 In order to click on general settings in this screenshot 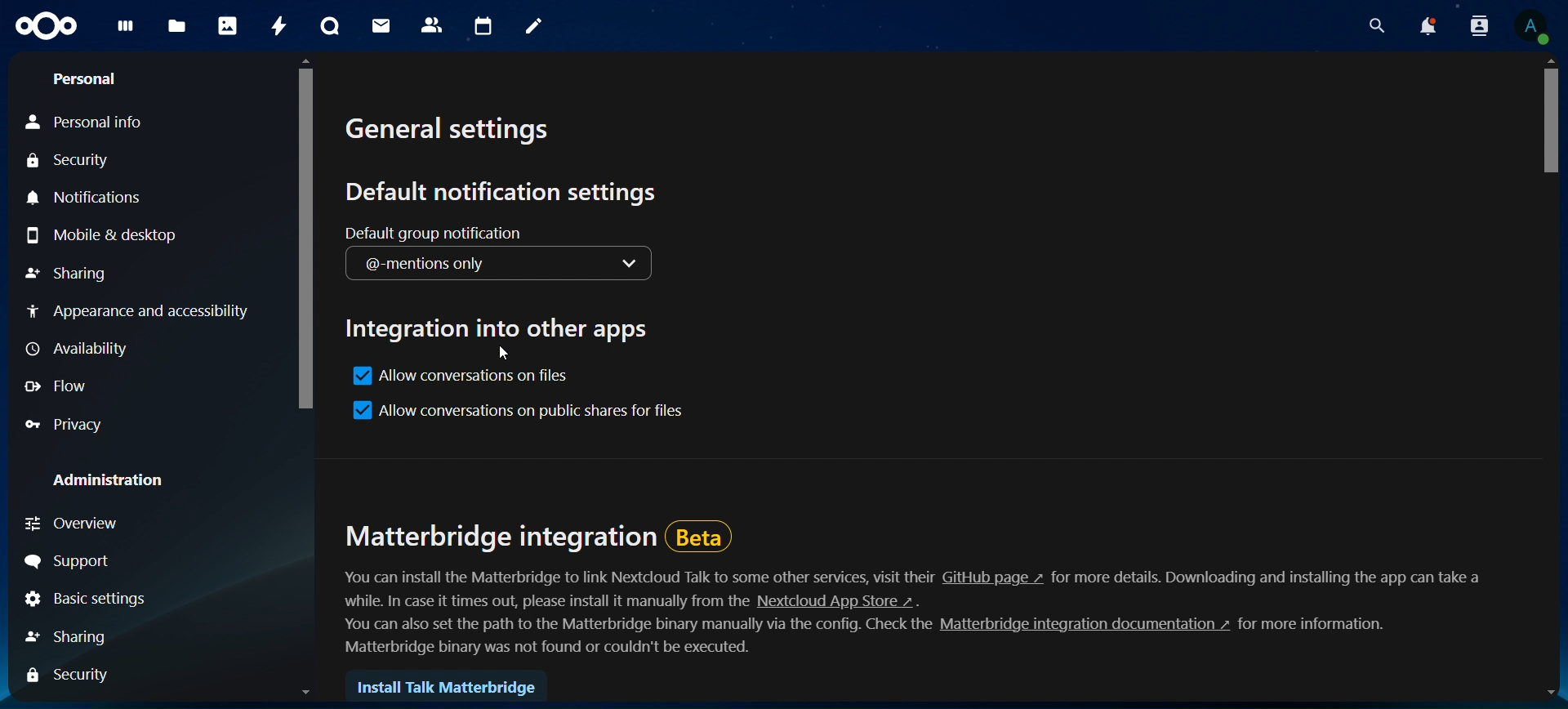, I will do `click(456, 132)`.